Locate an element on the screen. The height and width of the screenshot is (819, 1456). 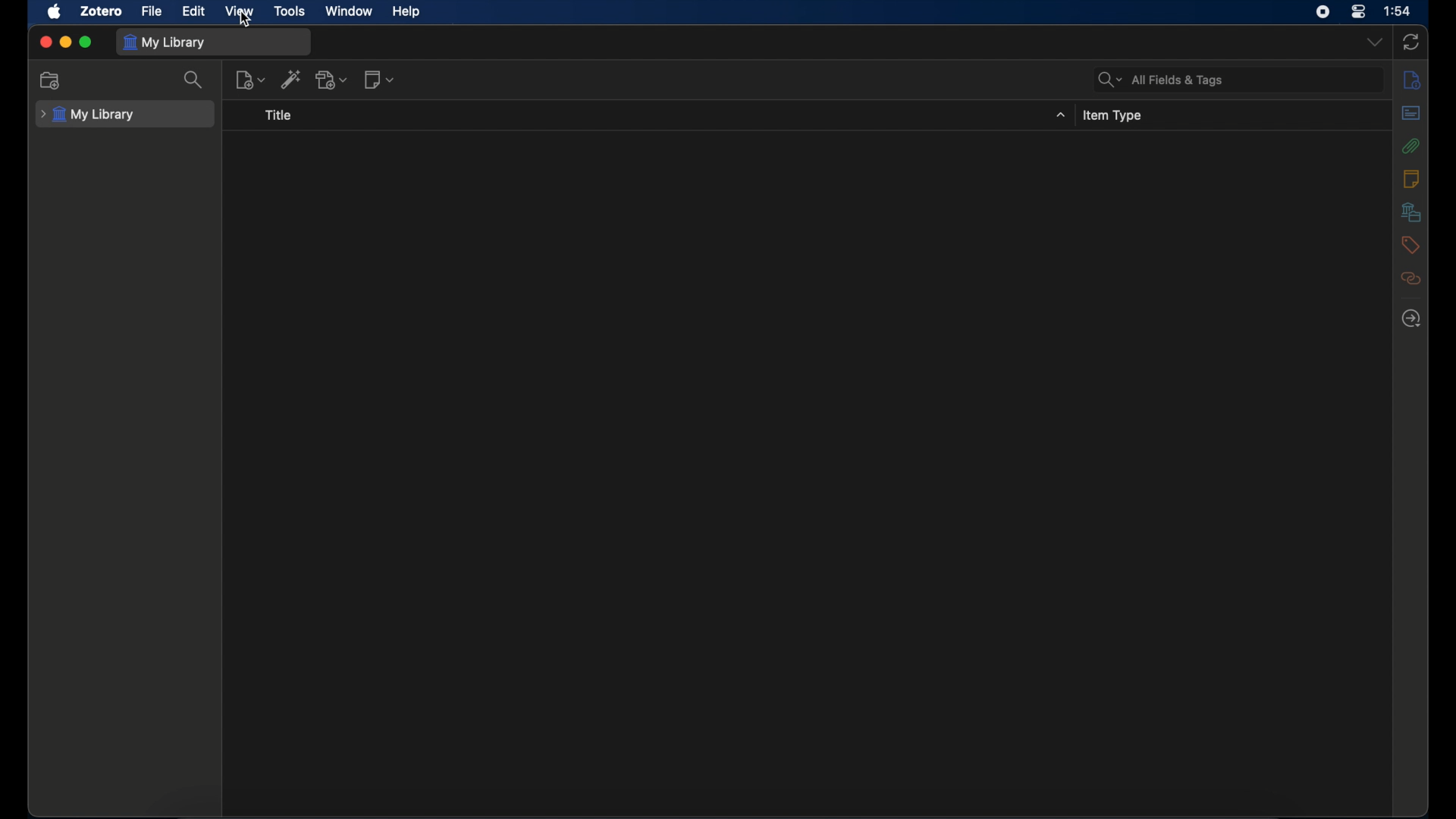
search bar is located at coordinates (1162, 80).